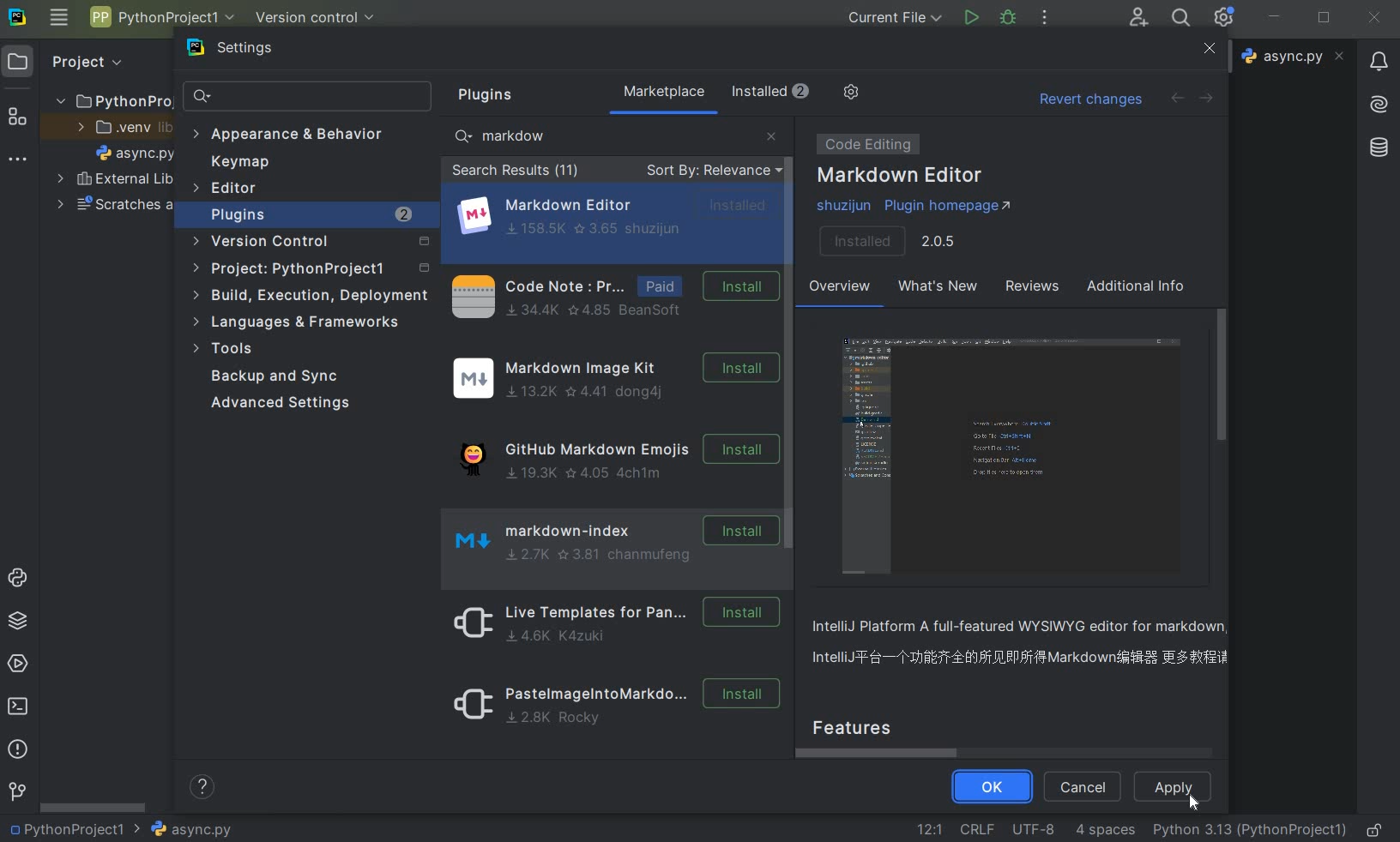 Image resolution: width=1400 pixels, height=842 pixels. I want to click on main menu, so click(59, 21).